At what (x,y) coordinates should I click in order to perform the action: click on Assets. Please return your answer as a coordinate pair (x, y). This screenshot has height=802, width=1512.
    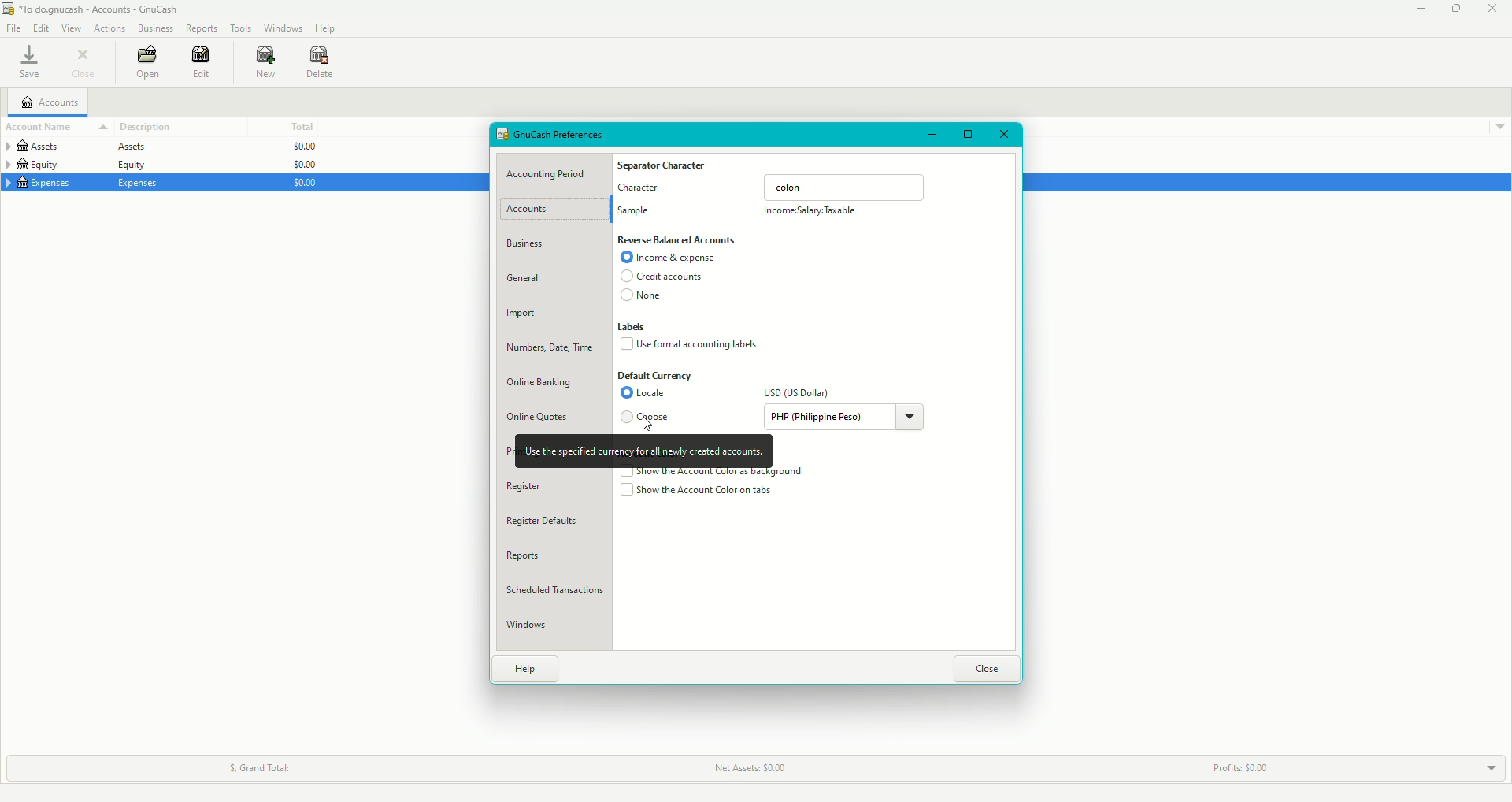
    Looking at the image, I should click on (74, 149).